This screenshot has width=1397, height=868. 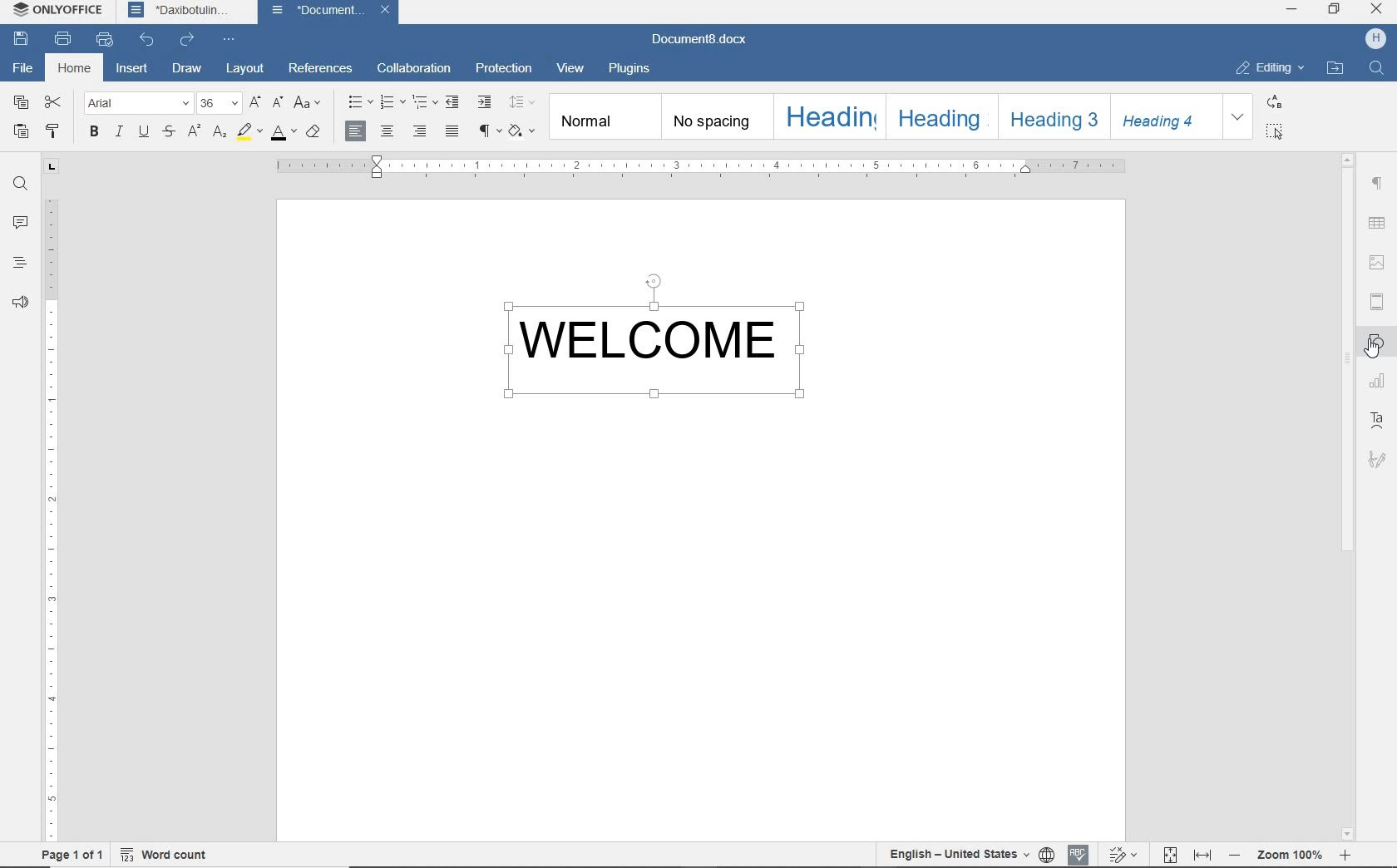 What do you see at coordinates (388, 131) in the screenshot?
I see `ALIGN CENTER` at bounding box center [388, 131].